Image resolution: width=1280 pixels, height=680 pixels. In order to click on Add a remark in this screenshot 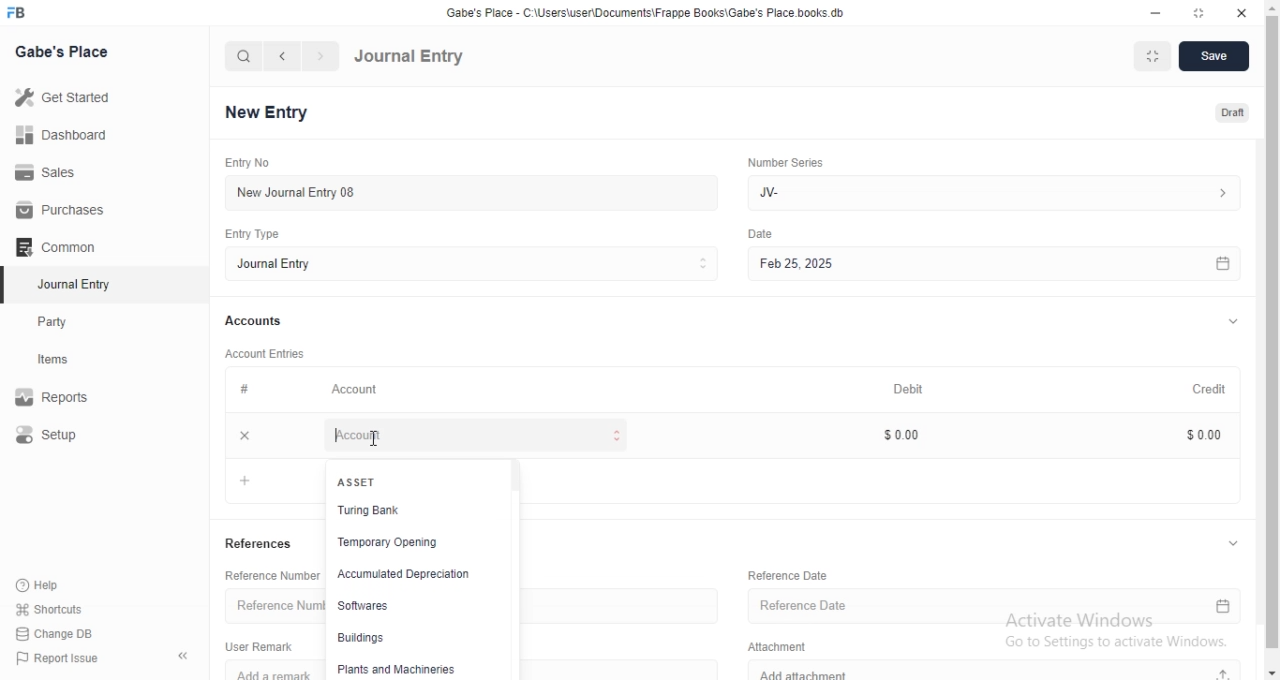, I will do `click(275, 670)`.